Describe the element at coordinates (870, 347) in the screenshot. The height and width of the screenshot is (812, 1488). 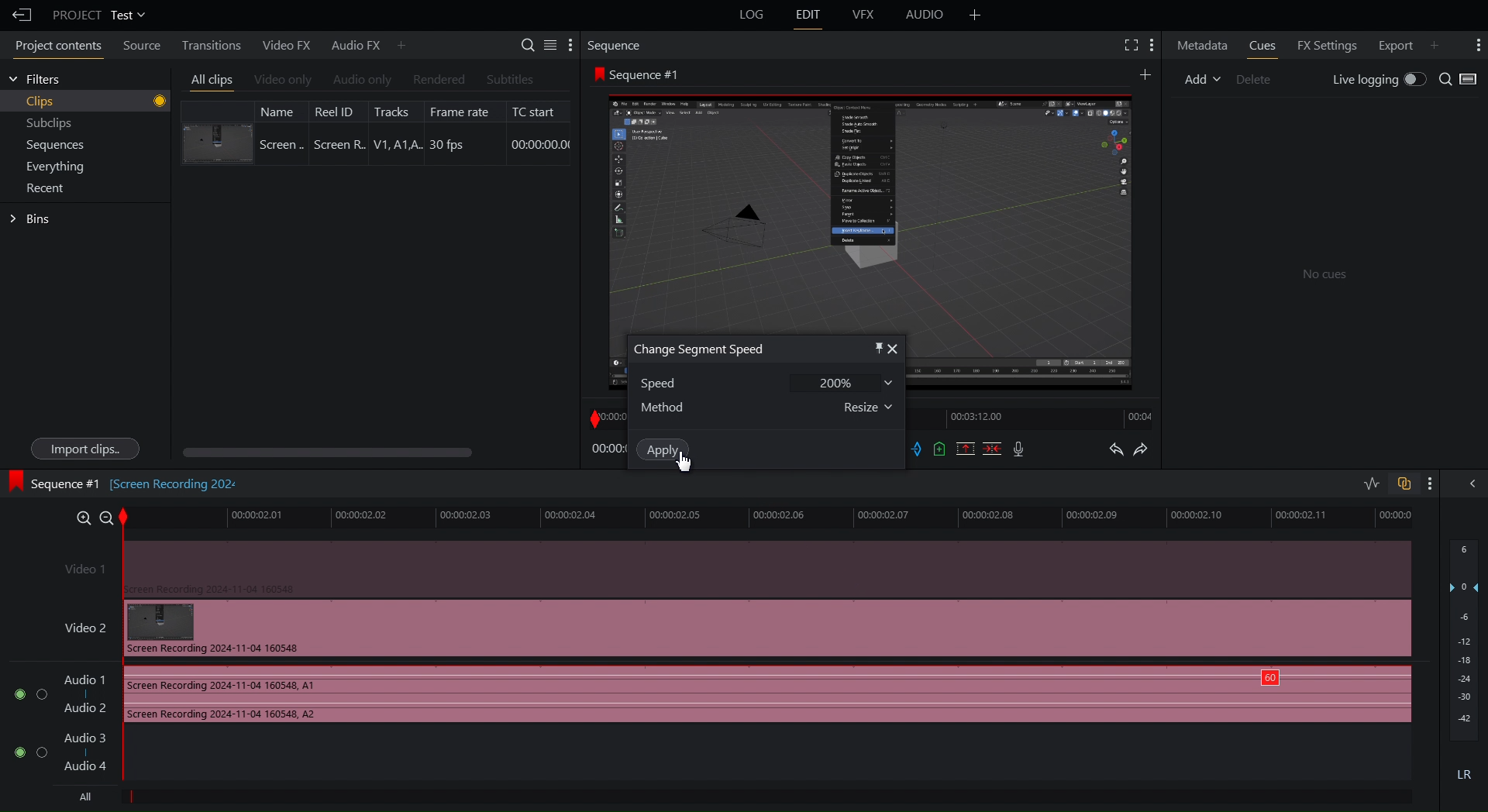
I see `Pin` at that location.